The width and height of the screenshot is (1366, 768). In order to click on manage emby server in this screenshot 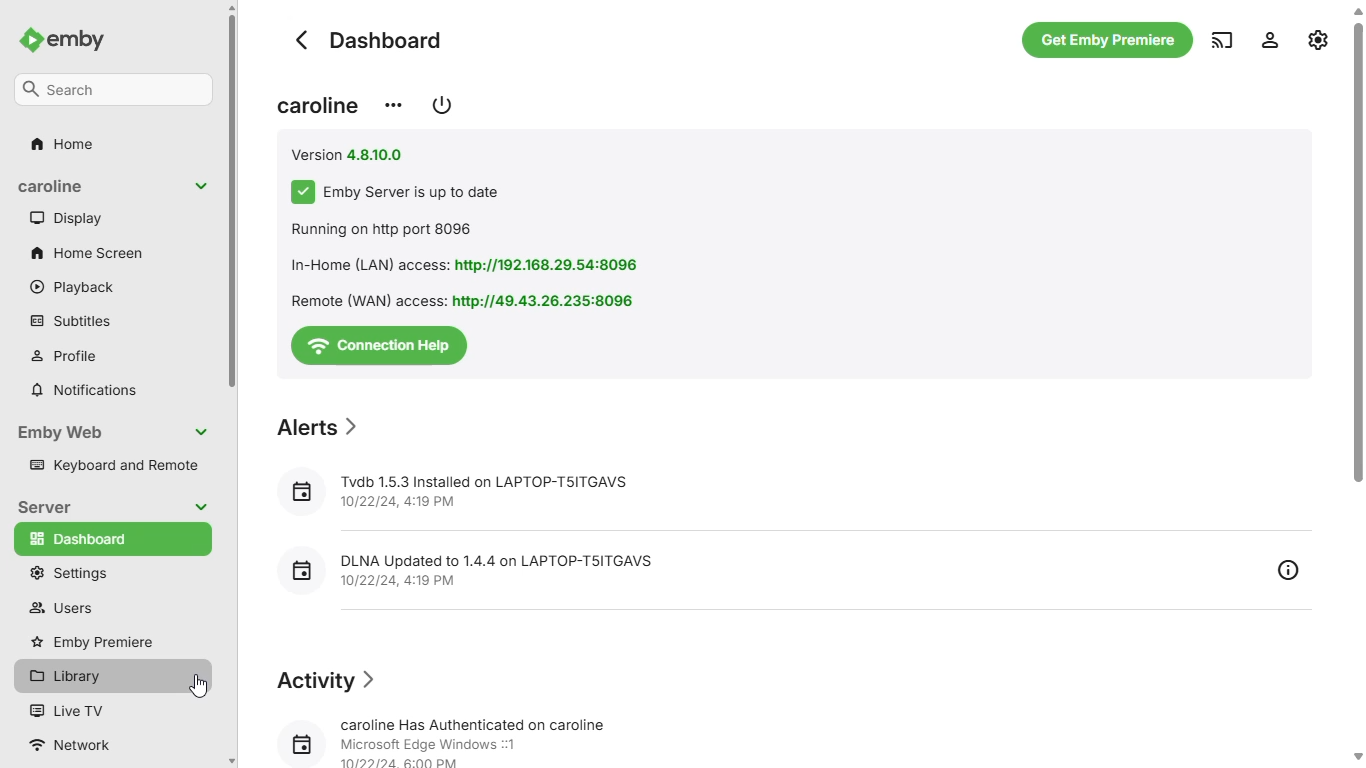, I will do `click(1270, 41)`.